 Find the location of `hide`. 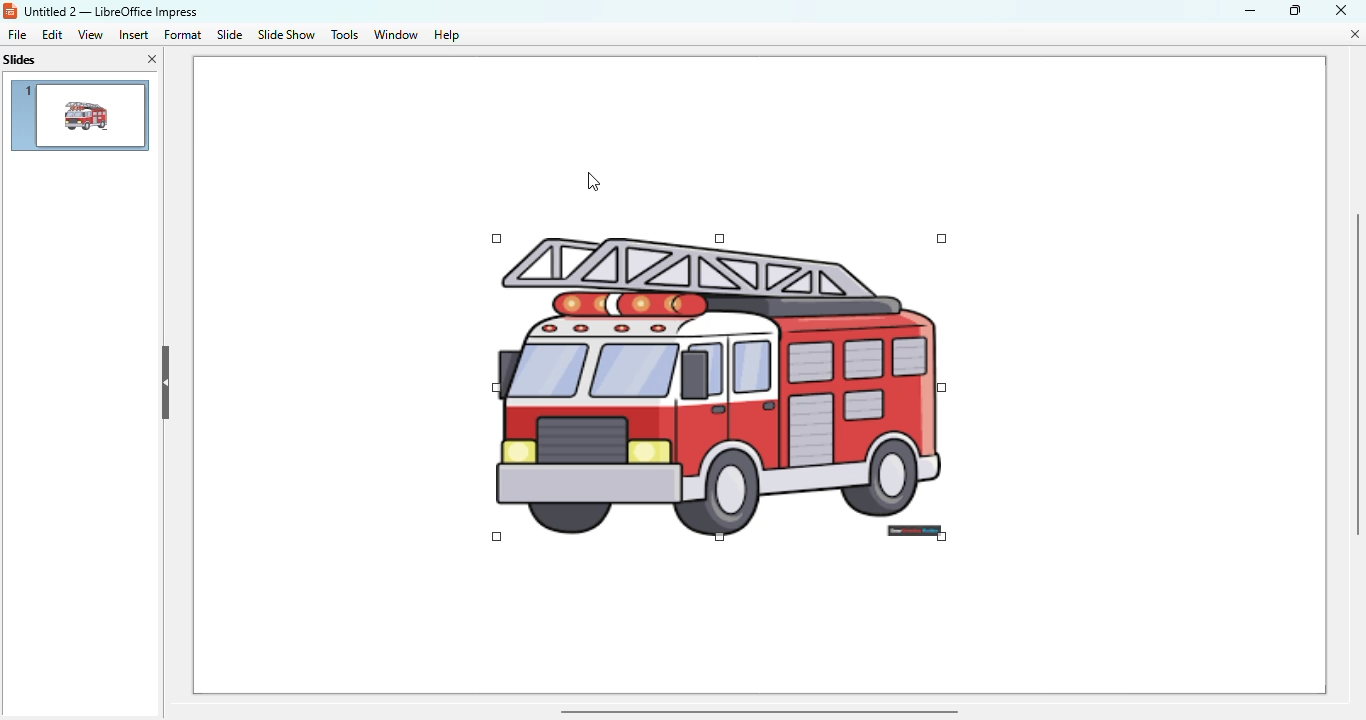

hide is located at coordinates (166, 384).